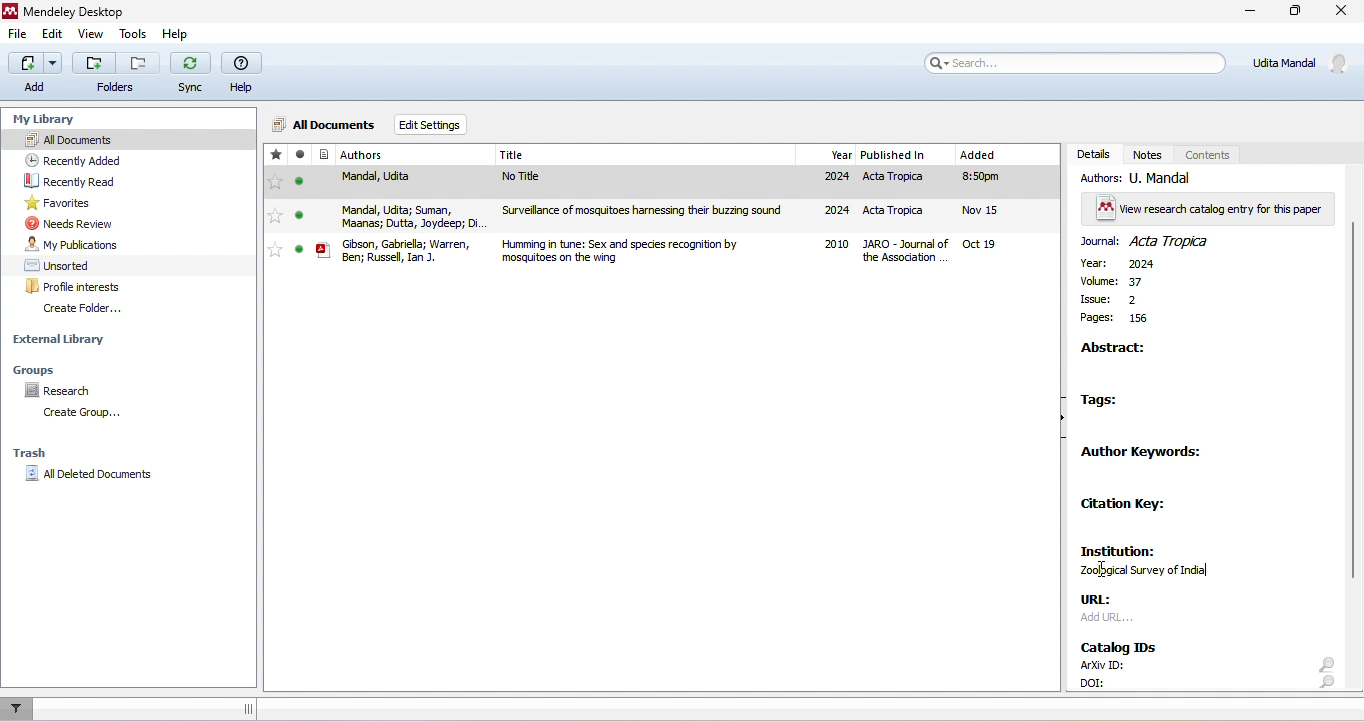  Describe the element at coordinates (1117, 282) in the screenshot. I see `volume: 37` at that location.